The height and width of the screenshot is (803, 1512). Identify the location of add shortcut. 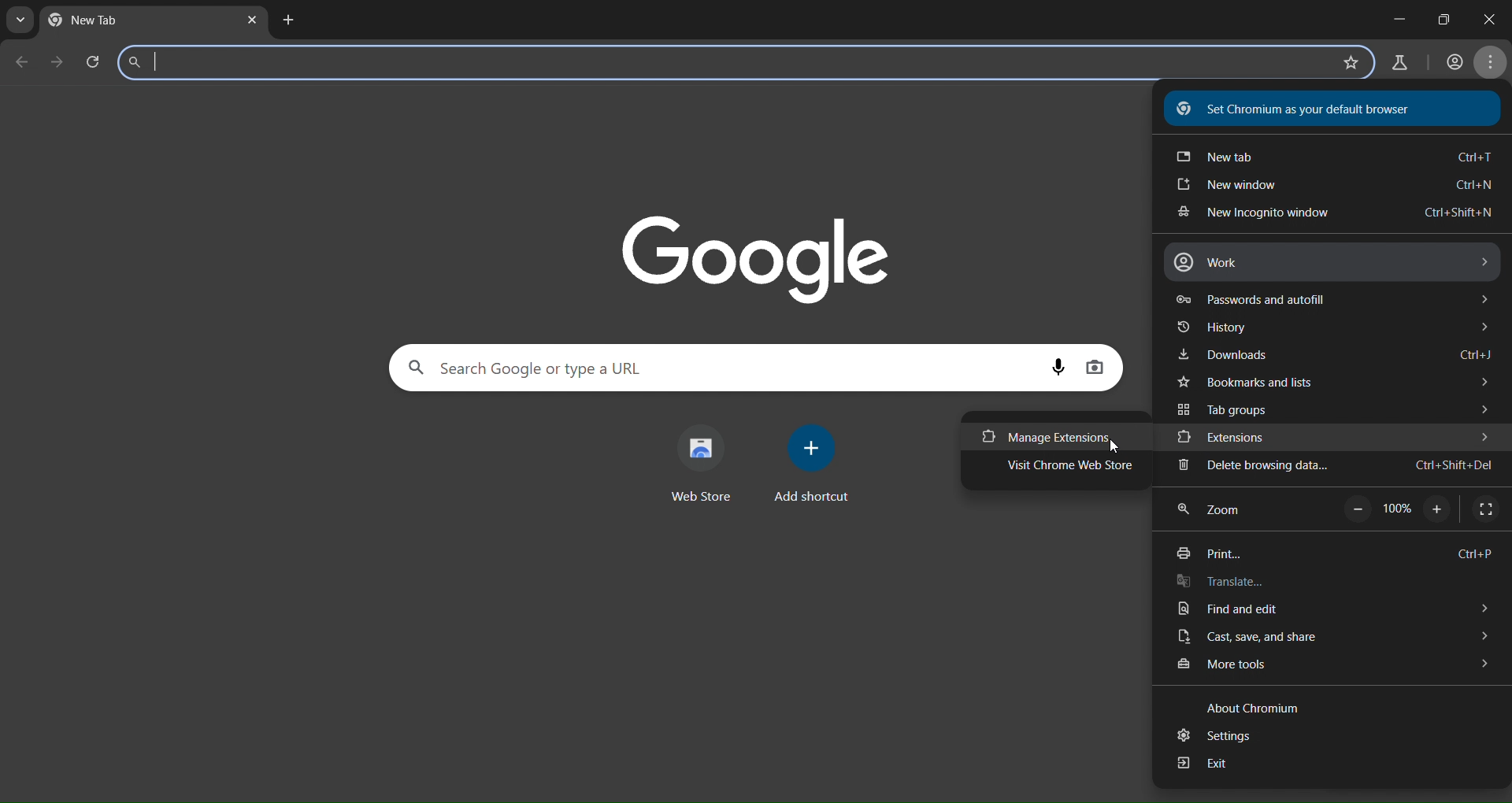
(812, 463).